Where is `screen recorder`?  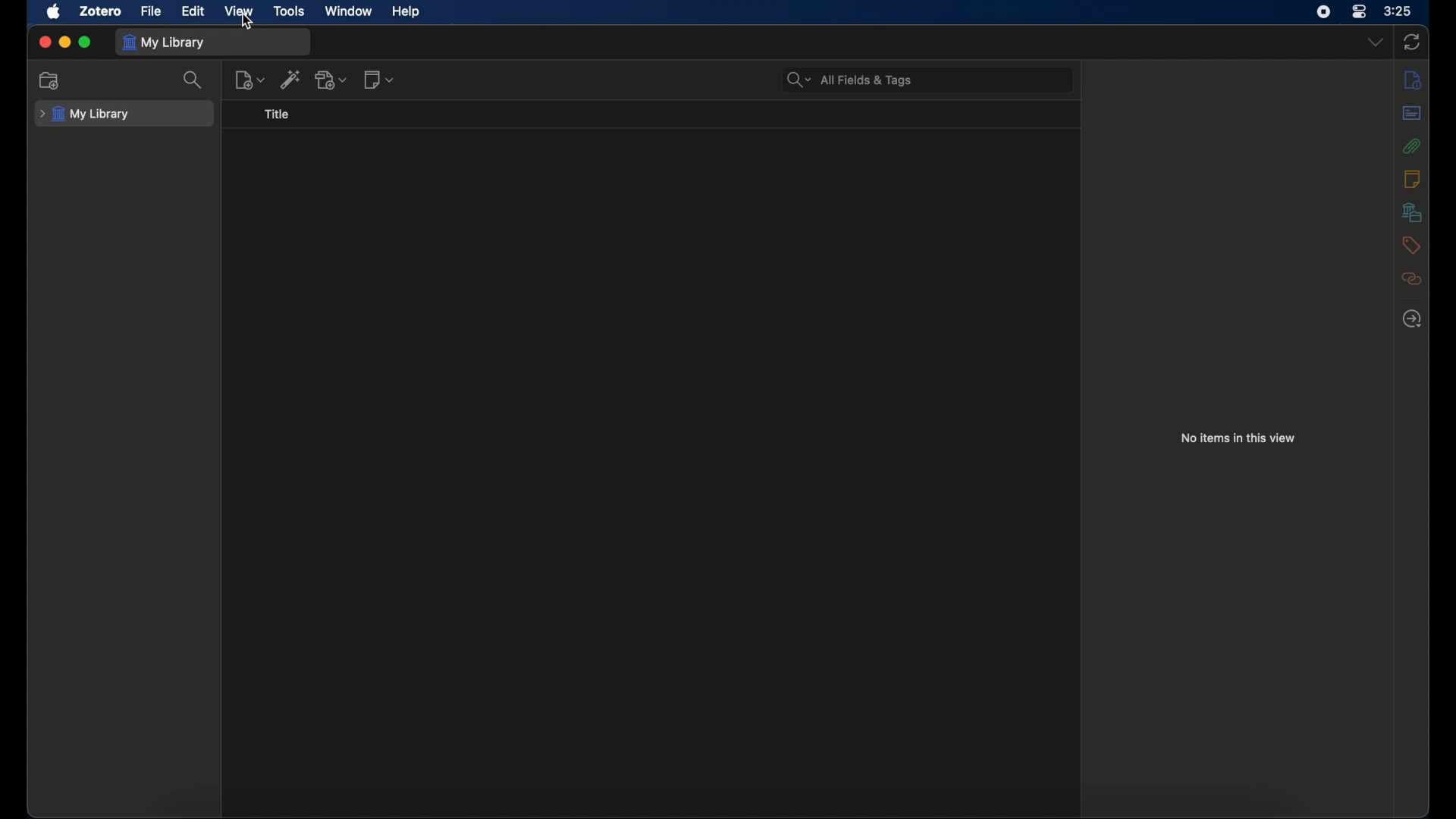 screen recorder is located at coordinates (1323, 11).